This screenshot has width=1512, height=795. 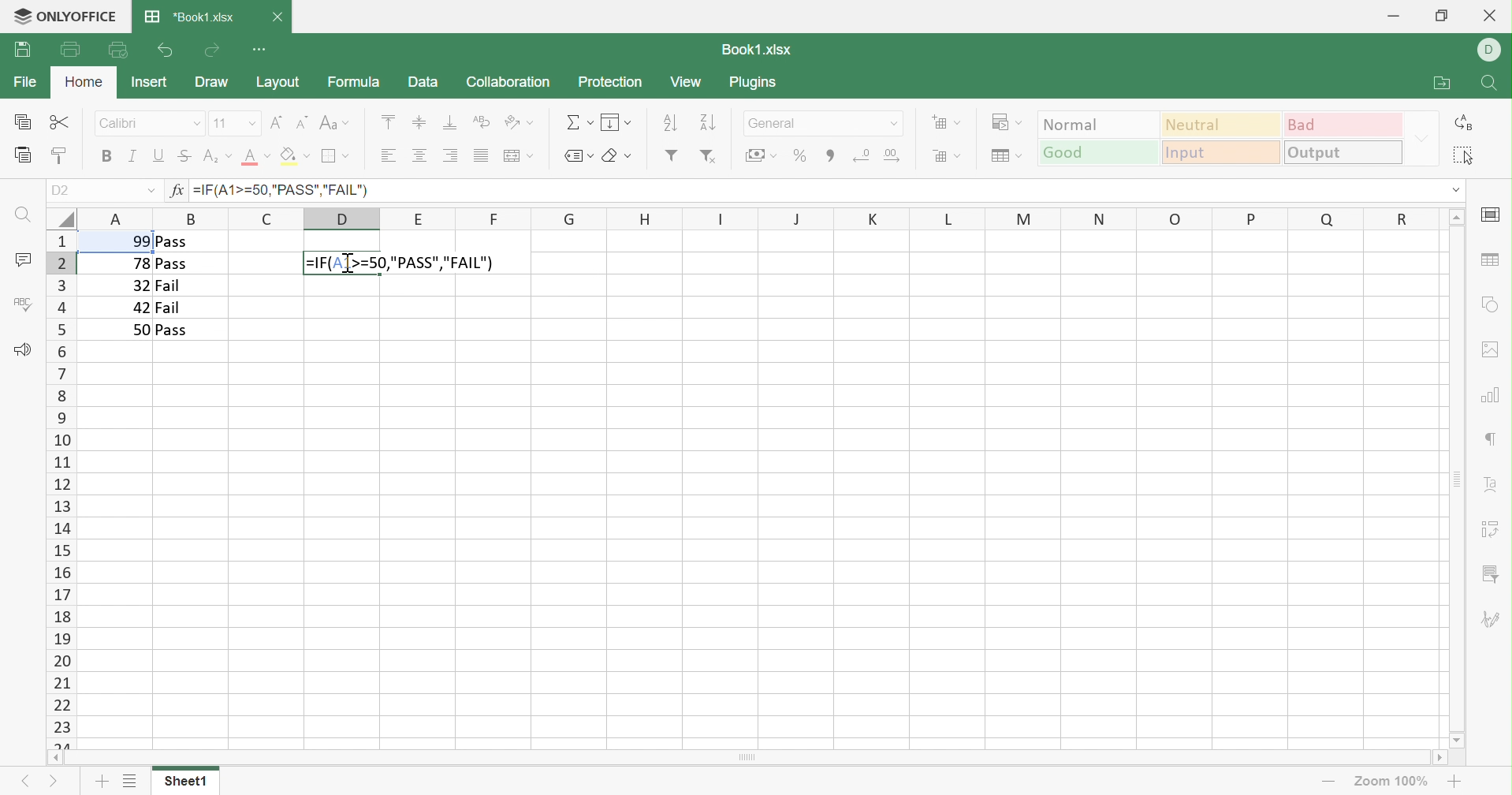 What do you see at coordinates (151, 192) in the screenshot?
I see `Drop down` at bounding box center [151, 192].